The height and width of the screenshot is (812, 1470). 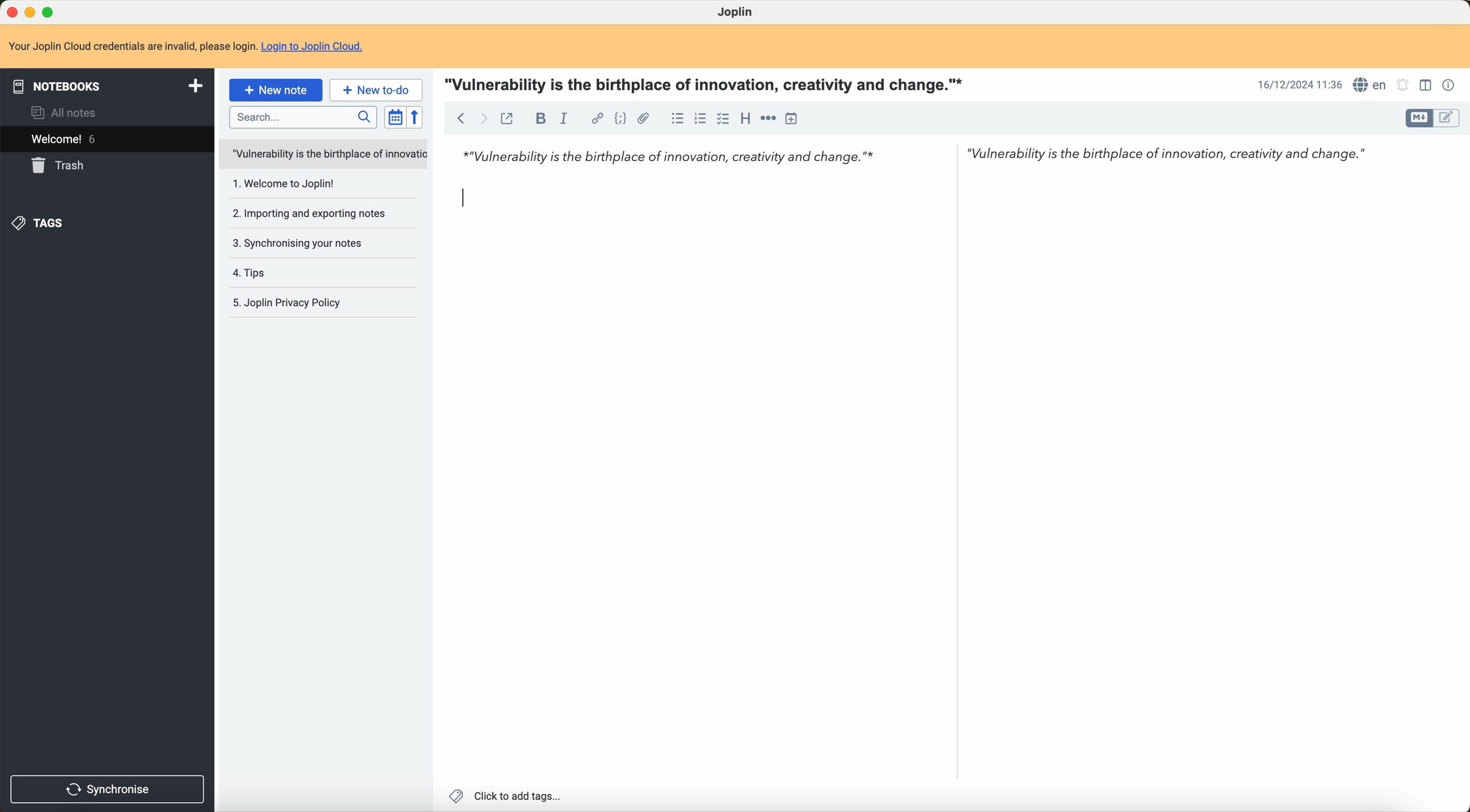 What do you see at coordinates (1297, 85) in the screenshot?
I see `16/12/2024 11:35` at bounding box center [1297, 85].